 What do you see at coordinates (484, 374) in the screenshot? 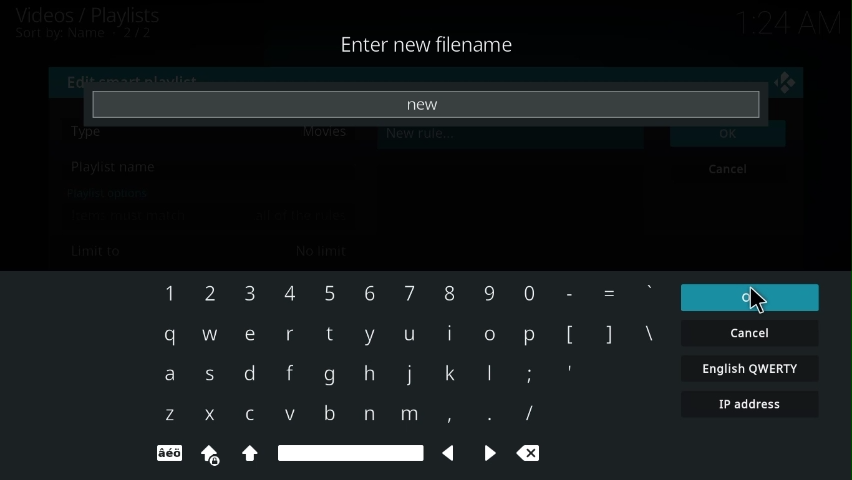
I see `l` at bounding box center [484, 374].